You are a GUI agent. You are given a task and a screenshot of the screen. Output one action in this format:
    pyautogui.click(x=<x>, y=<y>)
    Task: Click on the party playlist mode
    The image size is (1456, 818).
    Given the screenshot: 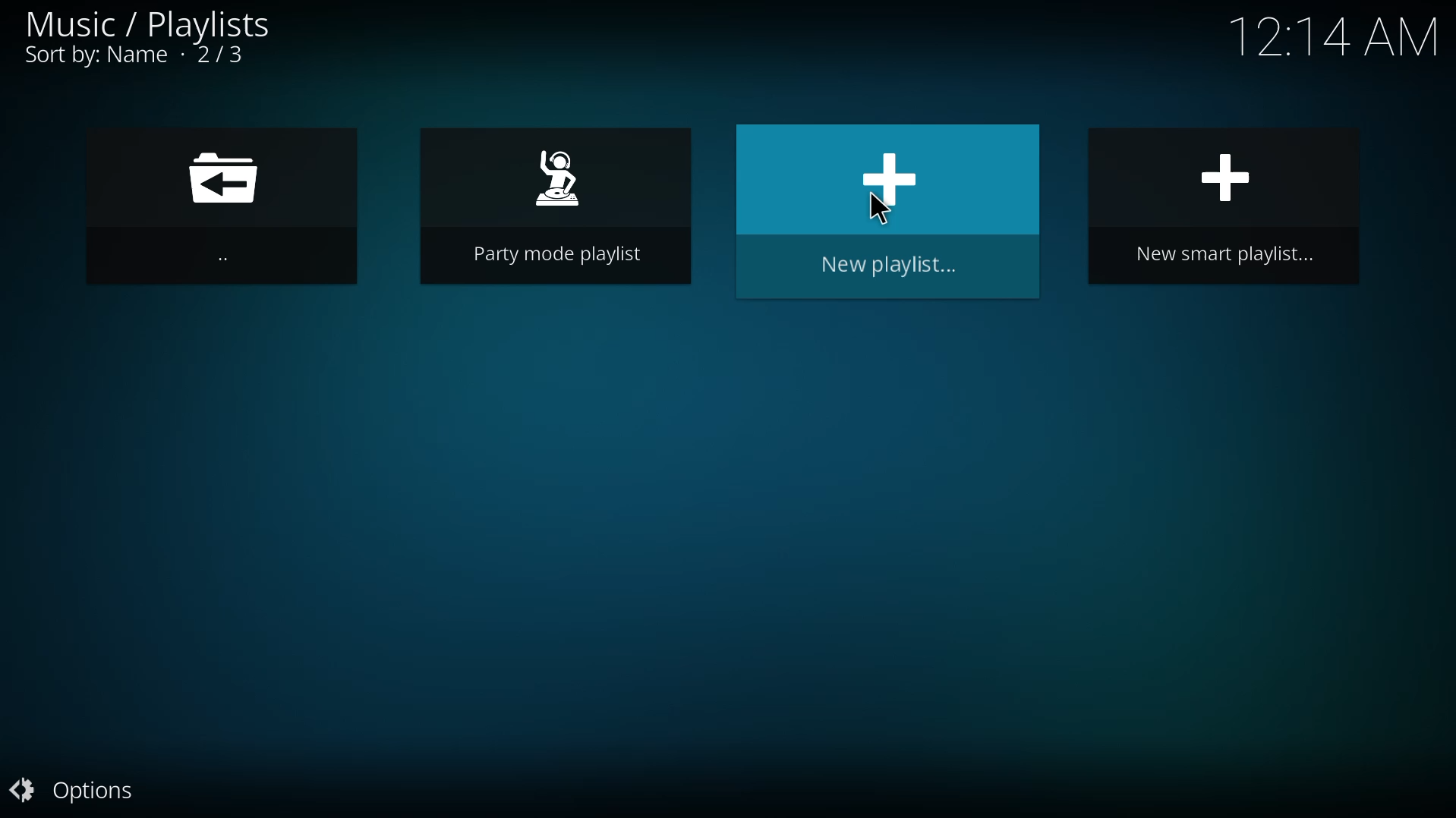 What is the action you would take?
    pyautogui.click(x=556, y=211)
    